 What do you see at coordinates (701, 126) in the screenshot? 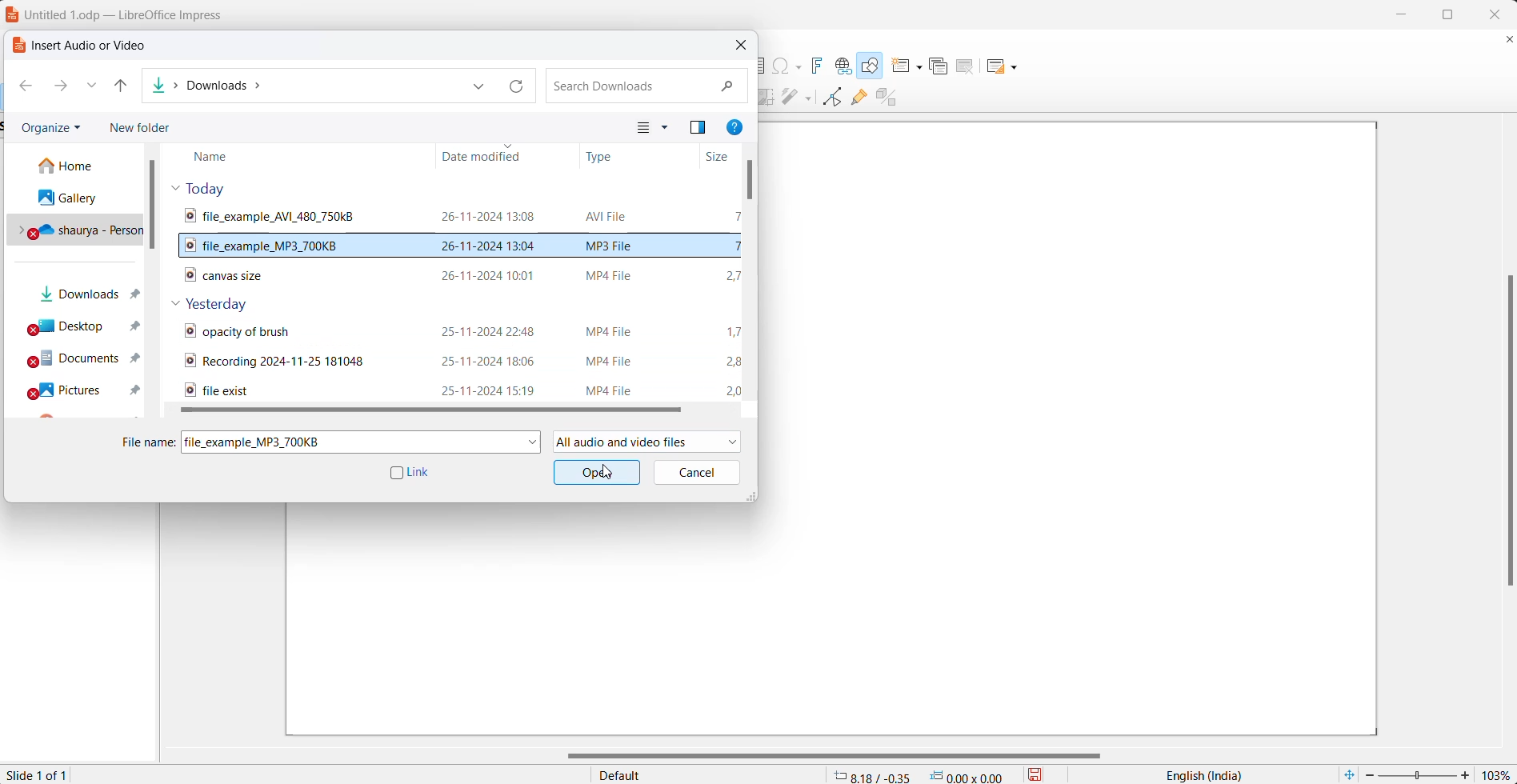
I see `show the preview pane` at bounding box center [701, 126].